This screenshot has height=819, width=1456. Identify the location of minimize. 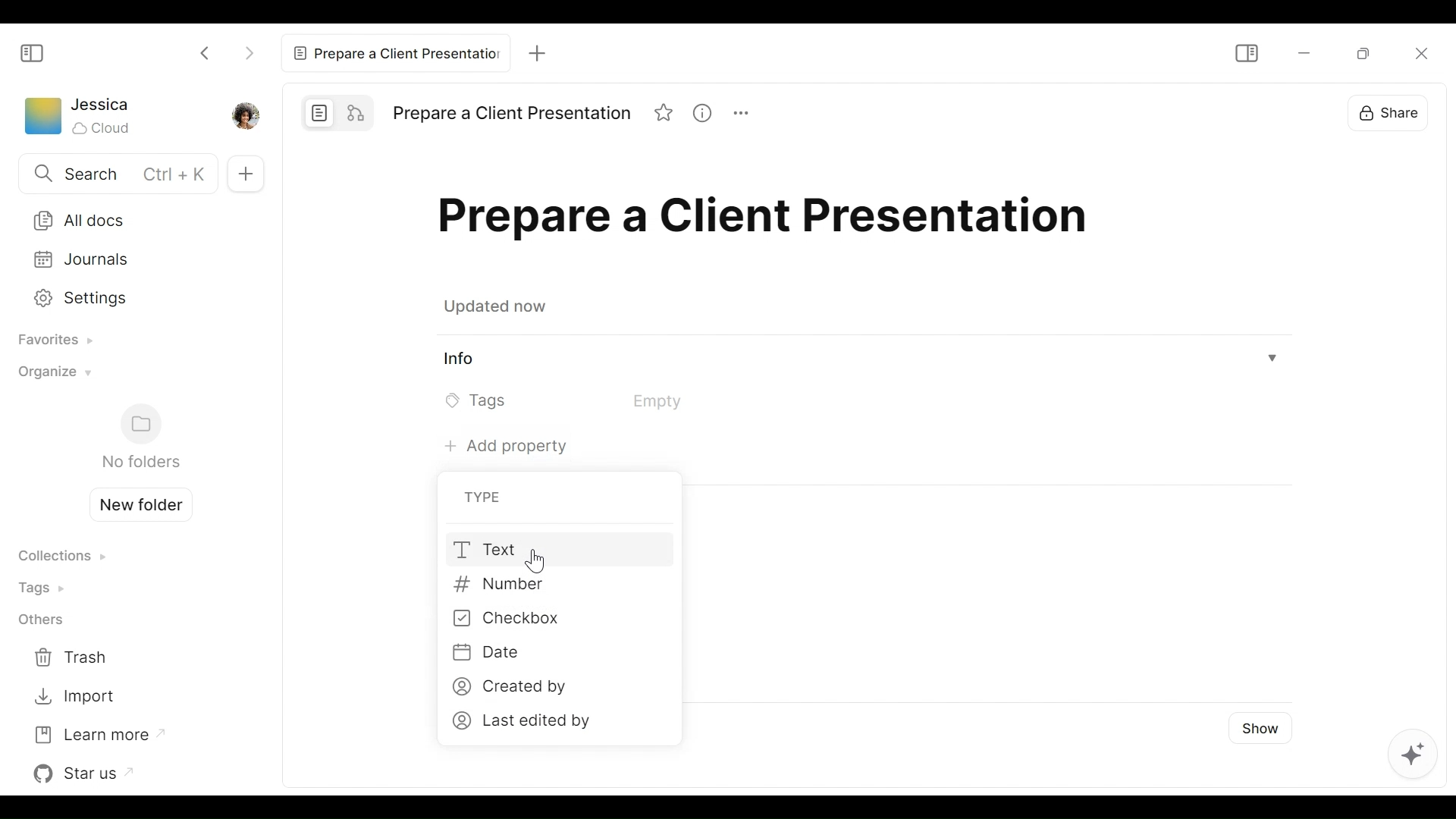
(1302, 54).